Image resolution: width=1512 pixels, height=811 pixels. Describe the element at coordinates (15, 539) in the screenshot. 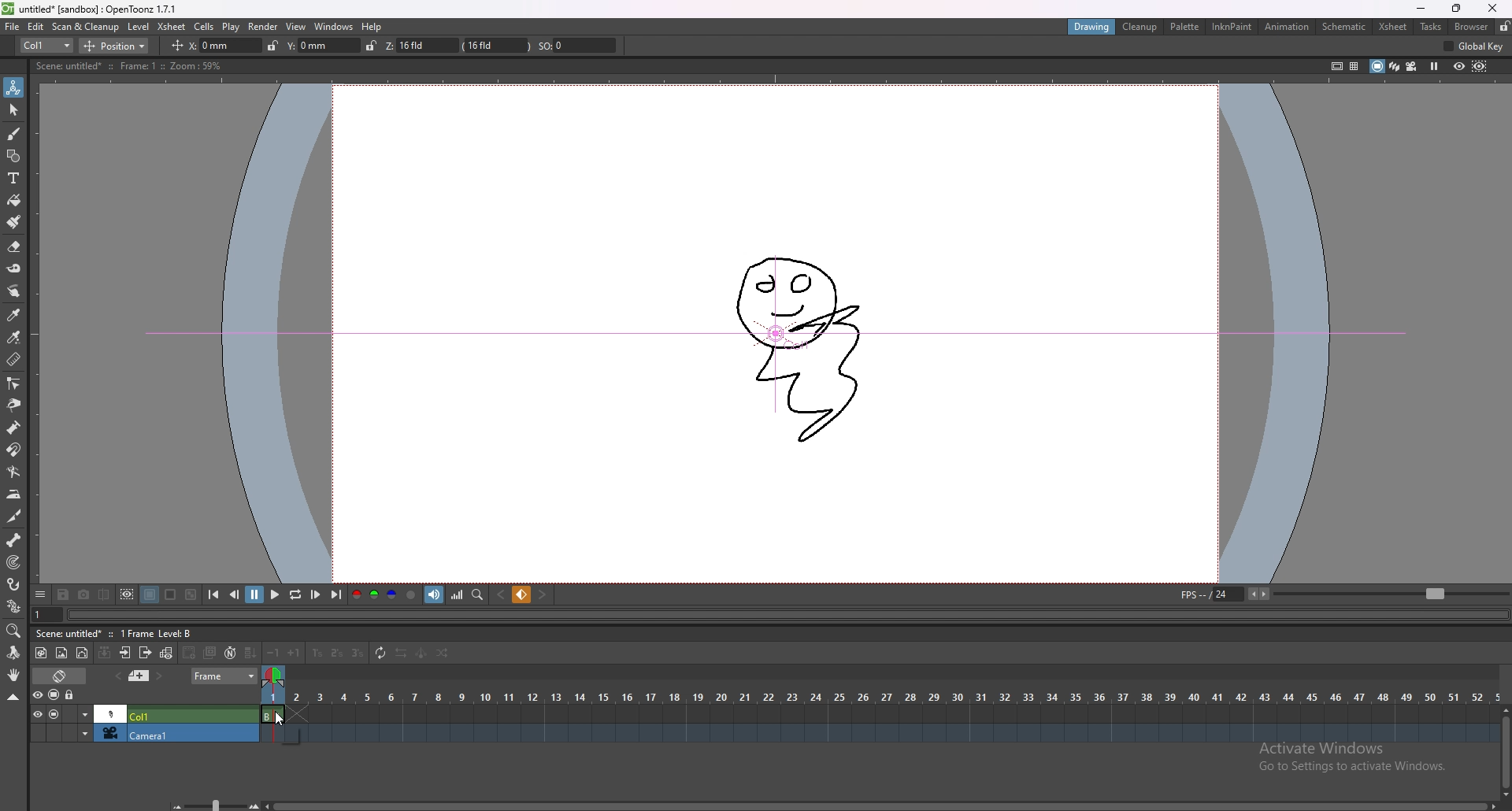

I see `skeleton` at that location.